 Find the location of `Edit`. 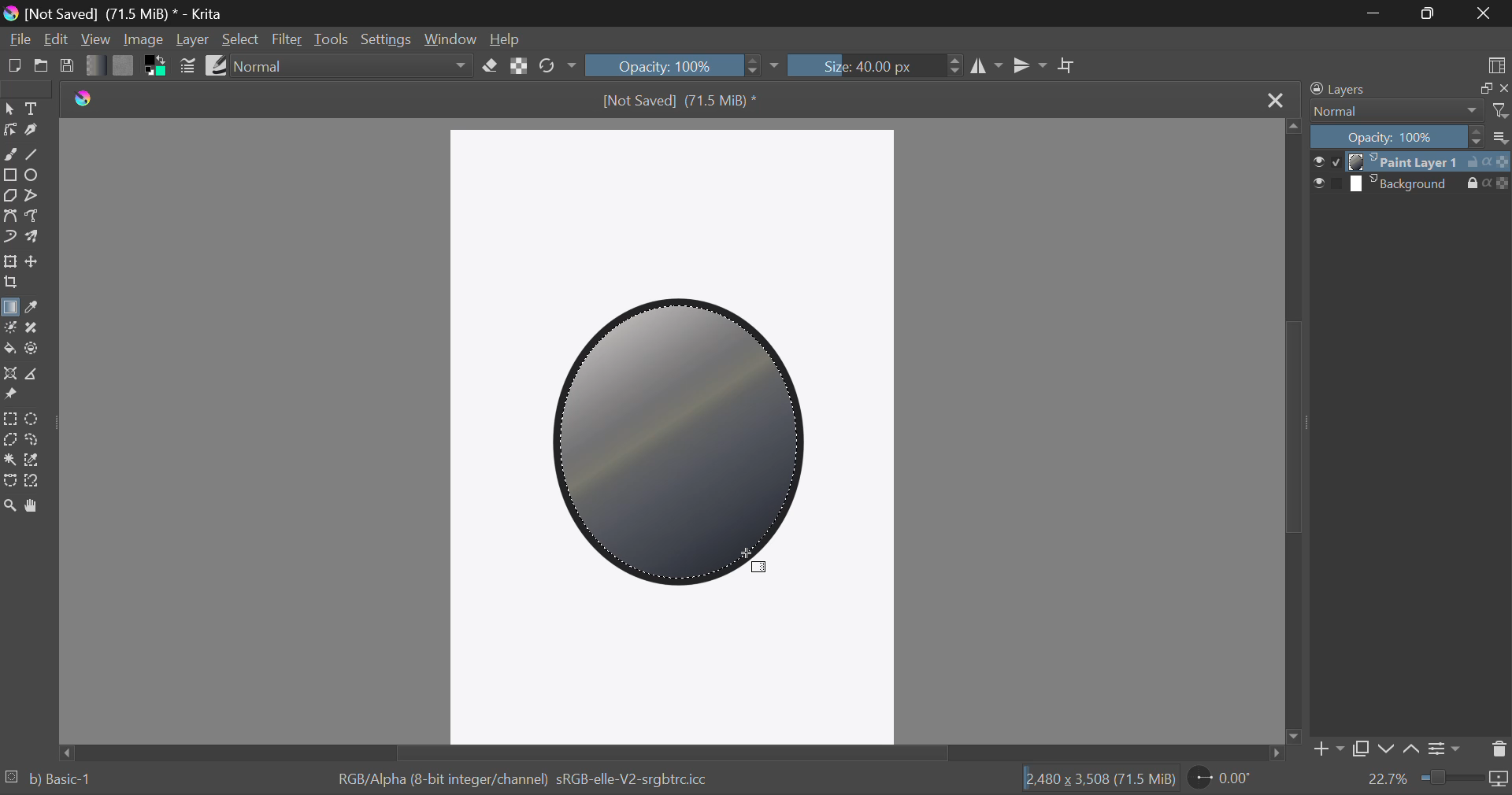

Edit is located at coordinates (55, 38).